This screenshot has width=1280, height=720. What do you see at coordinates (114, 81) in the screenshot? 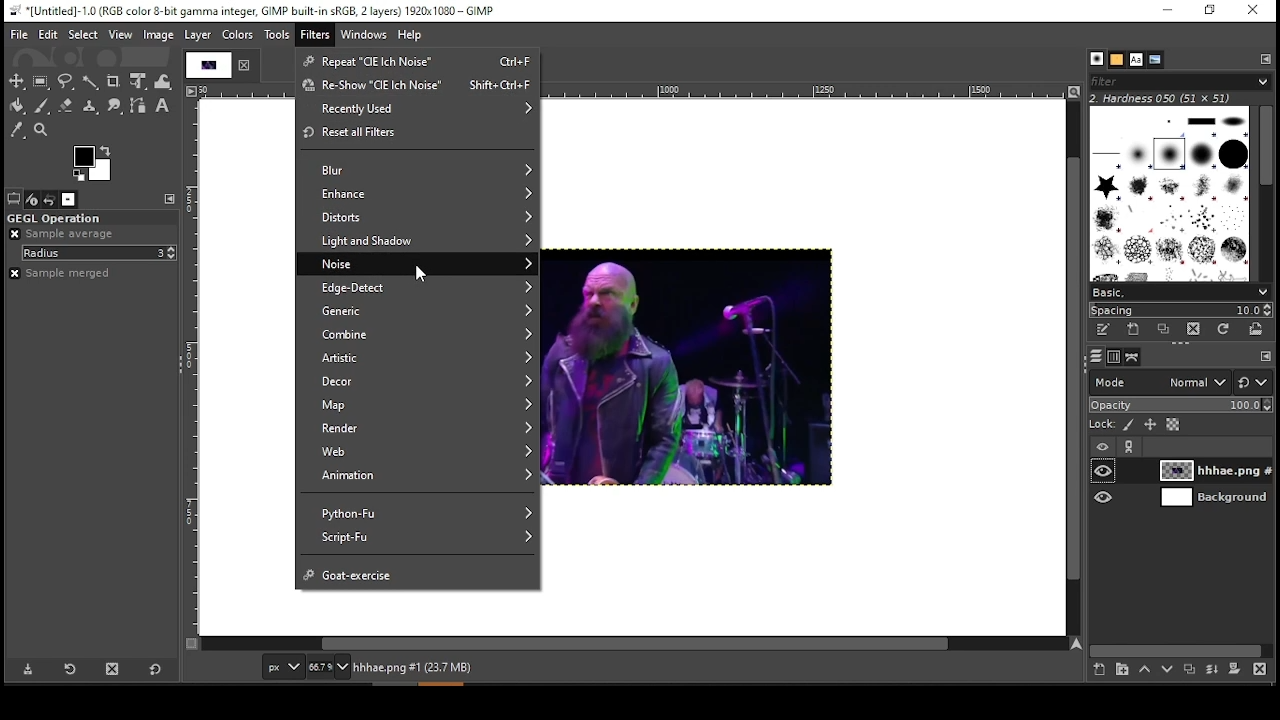
I see `crop tool` at bounding box center [114, 81].